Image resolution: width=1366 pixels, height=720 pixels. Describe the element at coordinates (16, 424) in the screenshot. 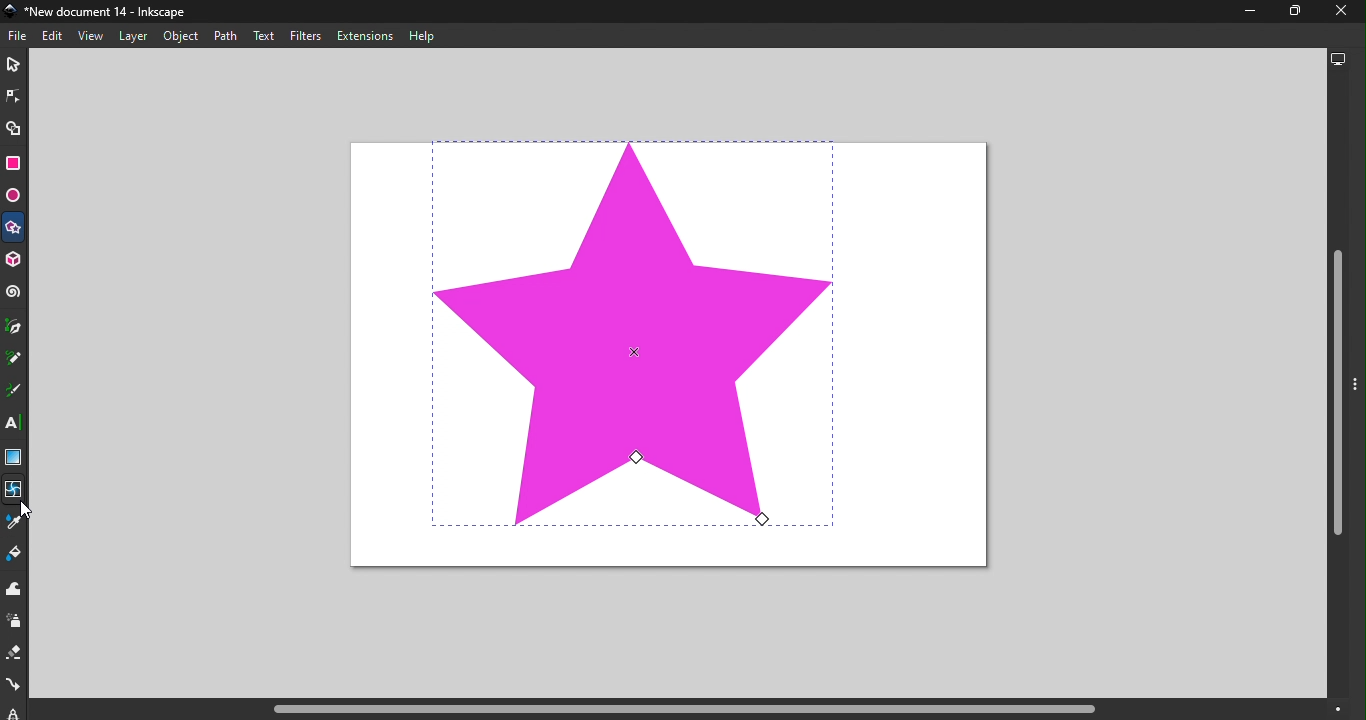

I see `Text tool` at that location.